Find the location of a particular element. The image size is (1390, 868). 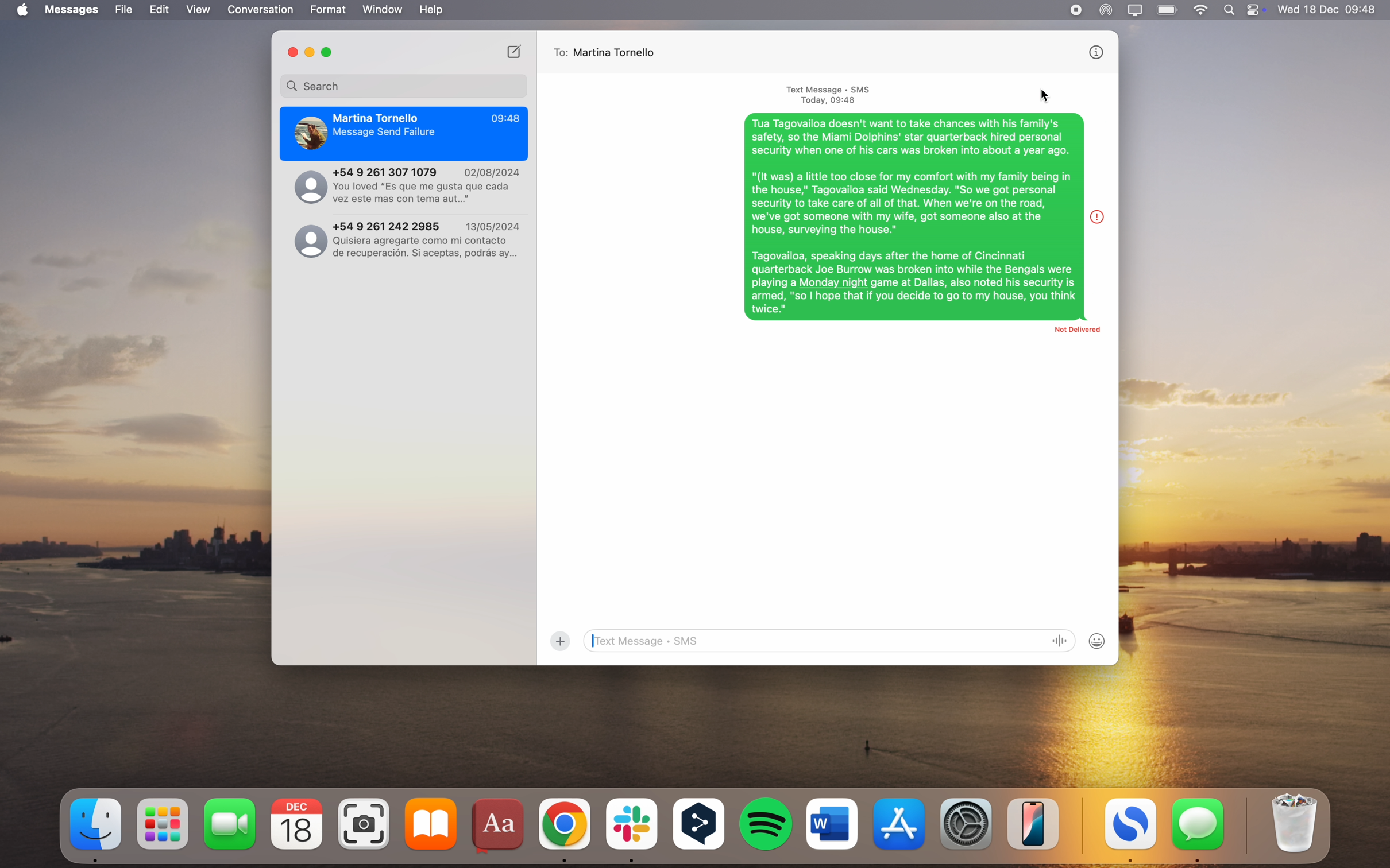

conversation is located at coordinates (261, 10).